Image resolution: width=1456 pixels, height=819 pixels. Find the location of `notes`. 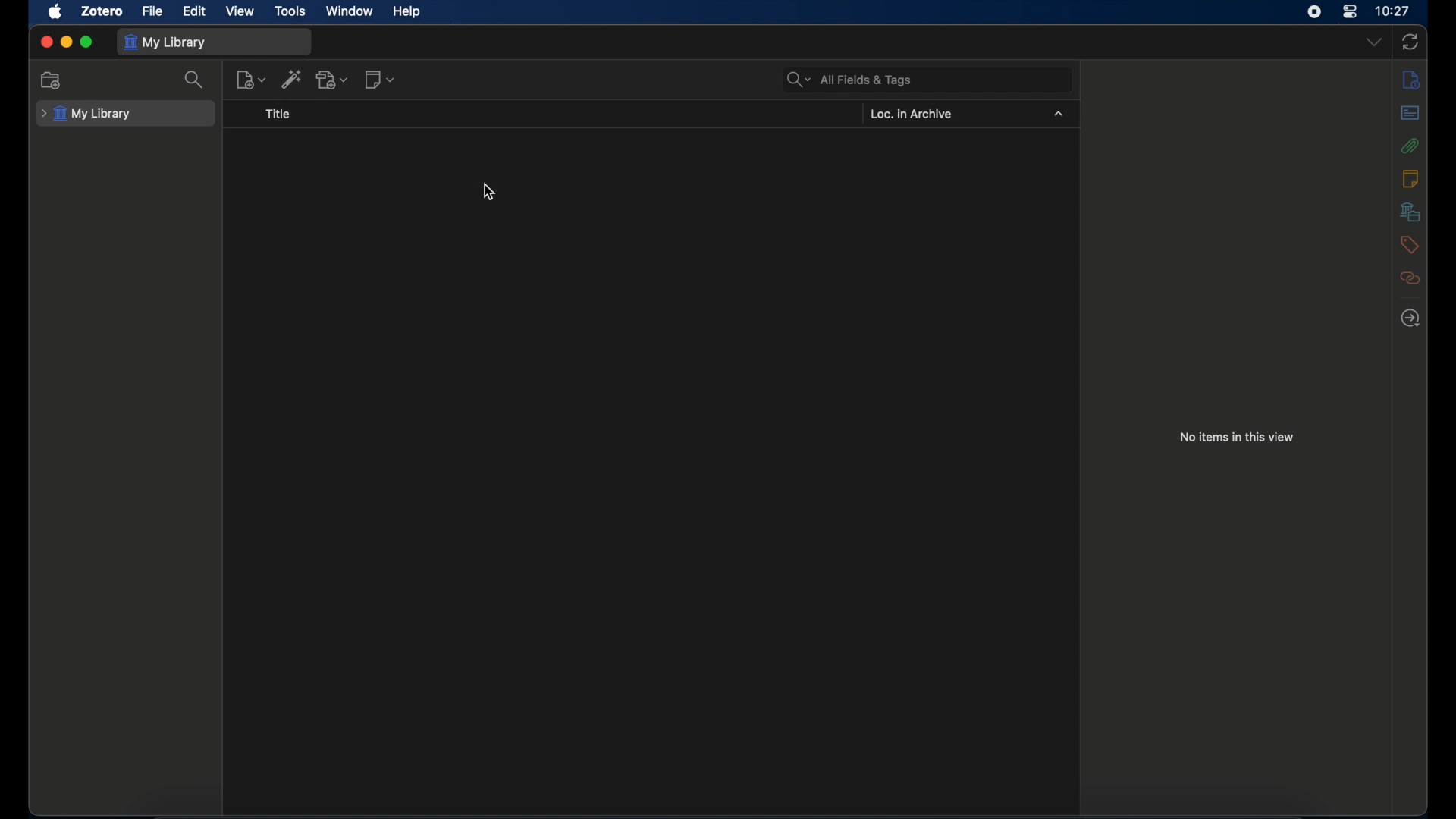

notes is located at coordinates (1410, 178).